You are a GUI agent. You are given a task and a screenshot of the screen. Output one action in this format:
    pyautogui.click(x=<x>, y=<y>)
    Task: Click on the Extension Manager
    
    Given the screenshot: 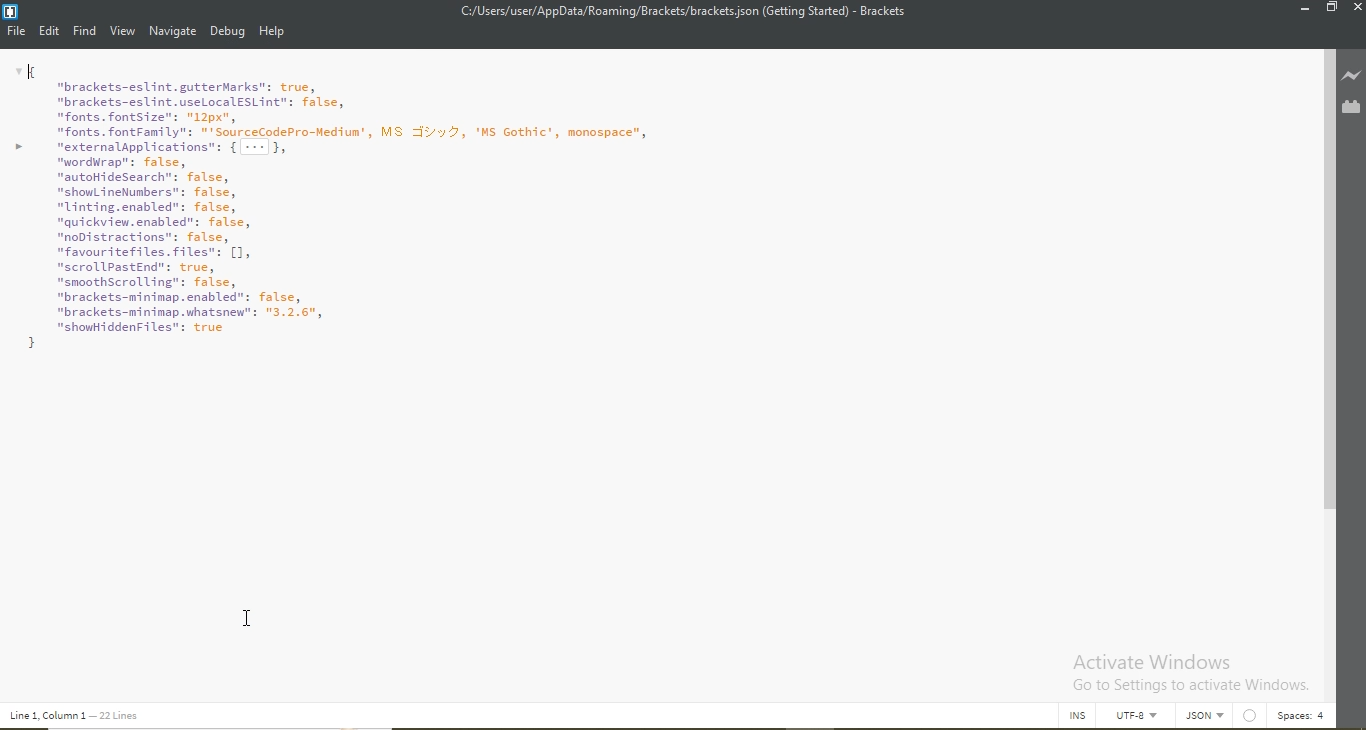 What is the action you would take?
    pyautogui.click(x=1351, y=108)
    